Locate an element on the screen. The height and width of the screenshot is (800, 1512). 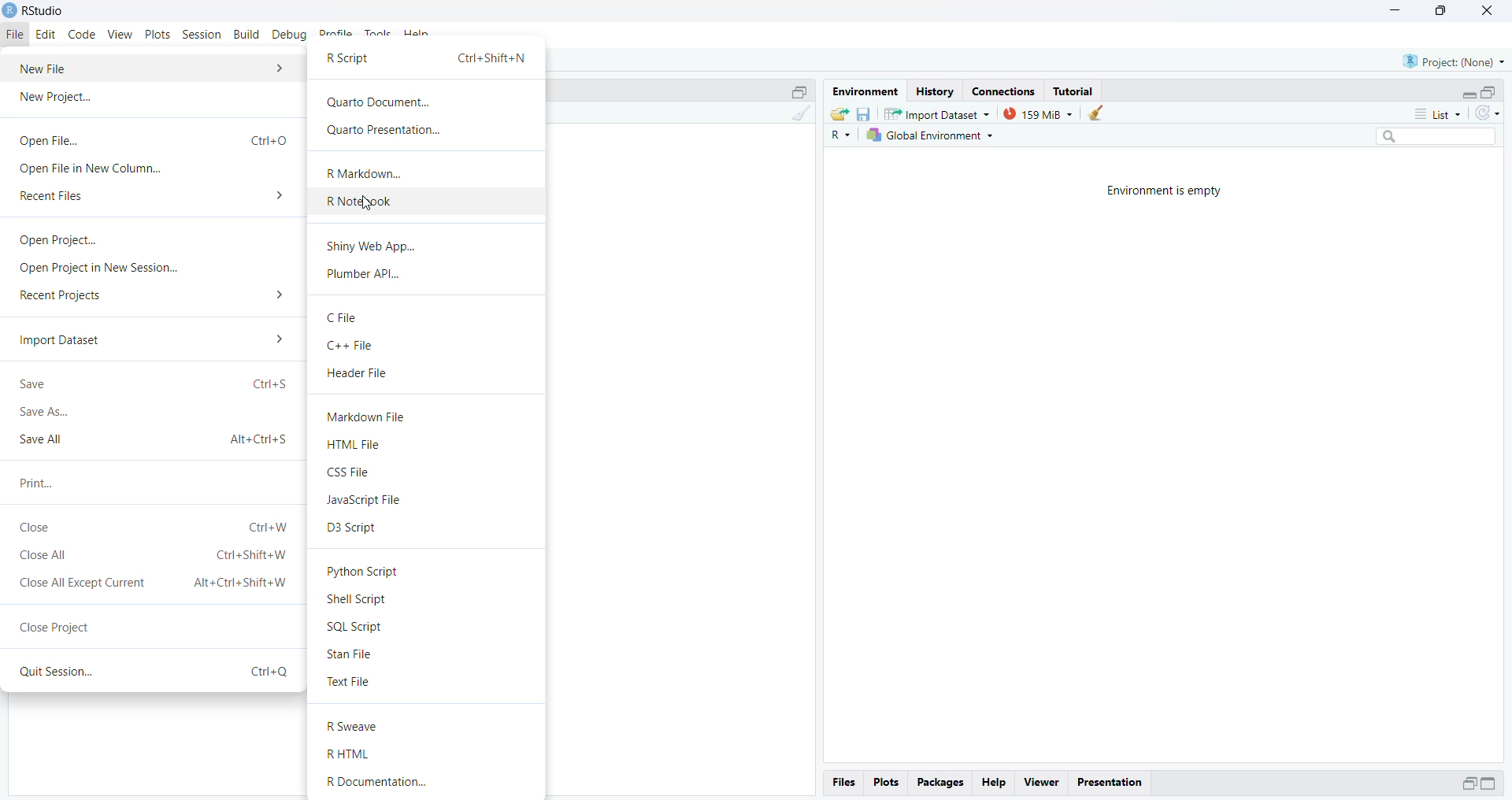
Markdown File is located at coordinates (369, 417).